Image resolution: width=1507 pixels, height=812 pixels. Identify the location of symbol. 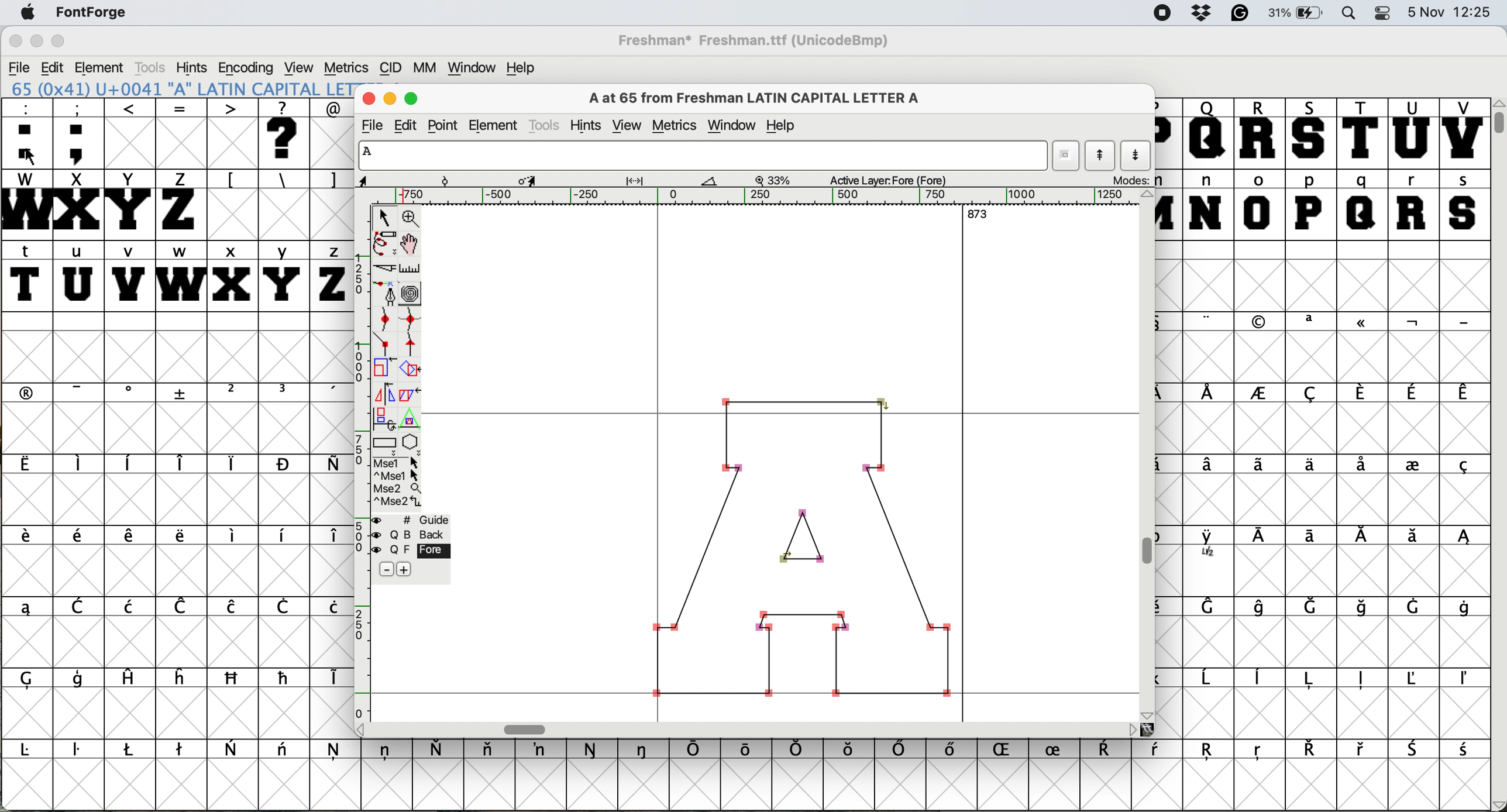
(1209, 680).